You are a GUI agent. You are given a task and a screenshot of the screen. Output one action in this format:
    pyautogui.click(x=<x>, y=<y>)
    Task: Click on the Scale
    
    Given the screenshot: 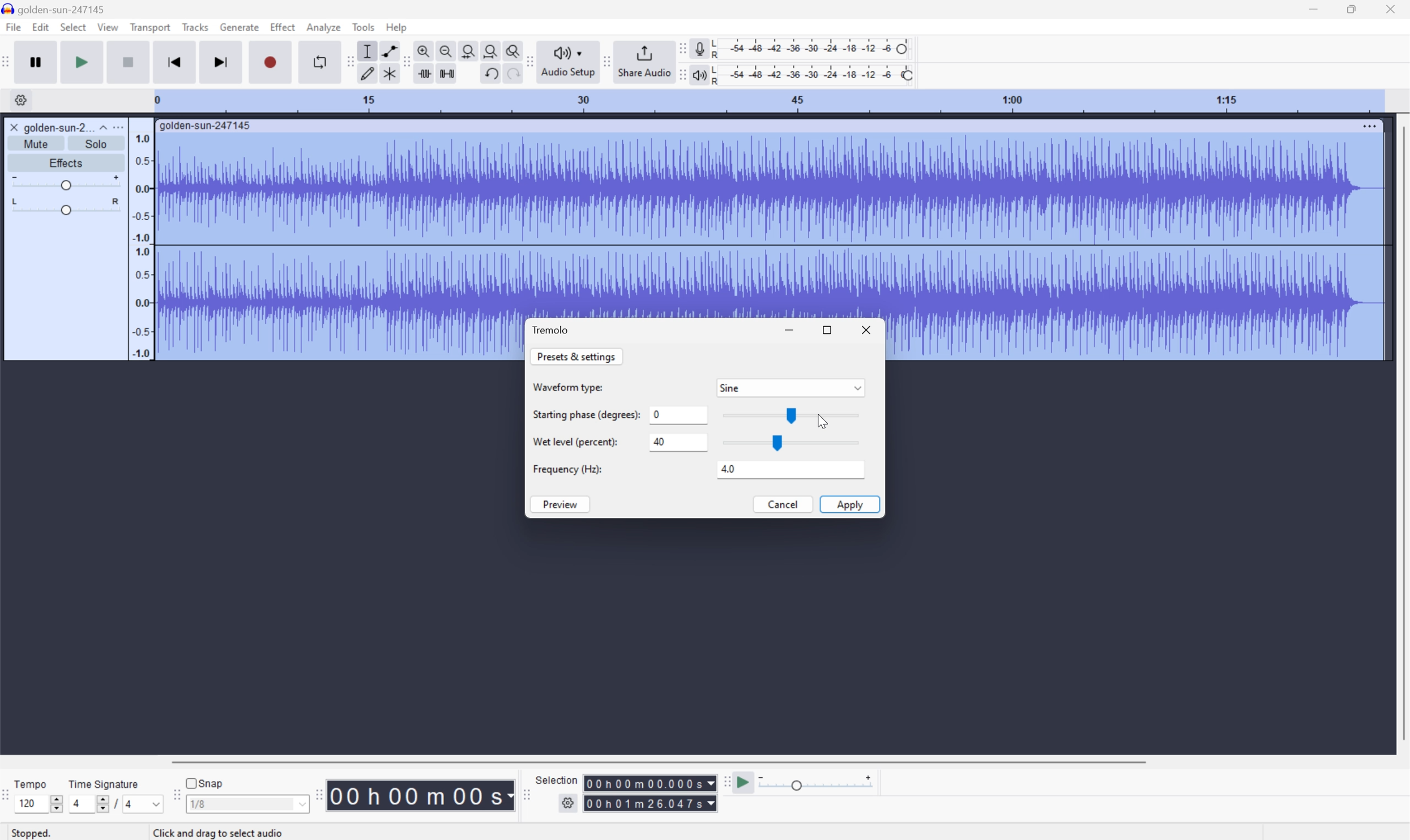 What is the action you would take?
    pyautogui.click(x=768, y=101)
    